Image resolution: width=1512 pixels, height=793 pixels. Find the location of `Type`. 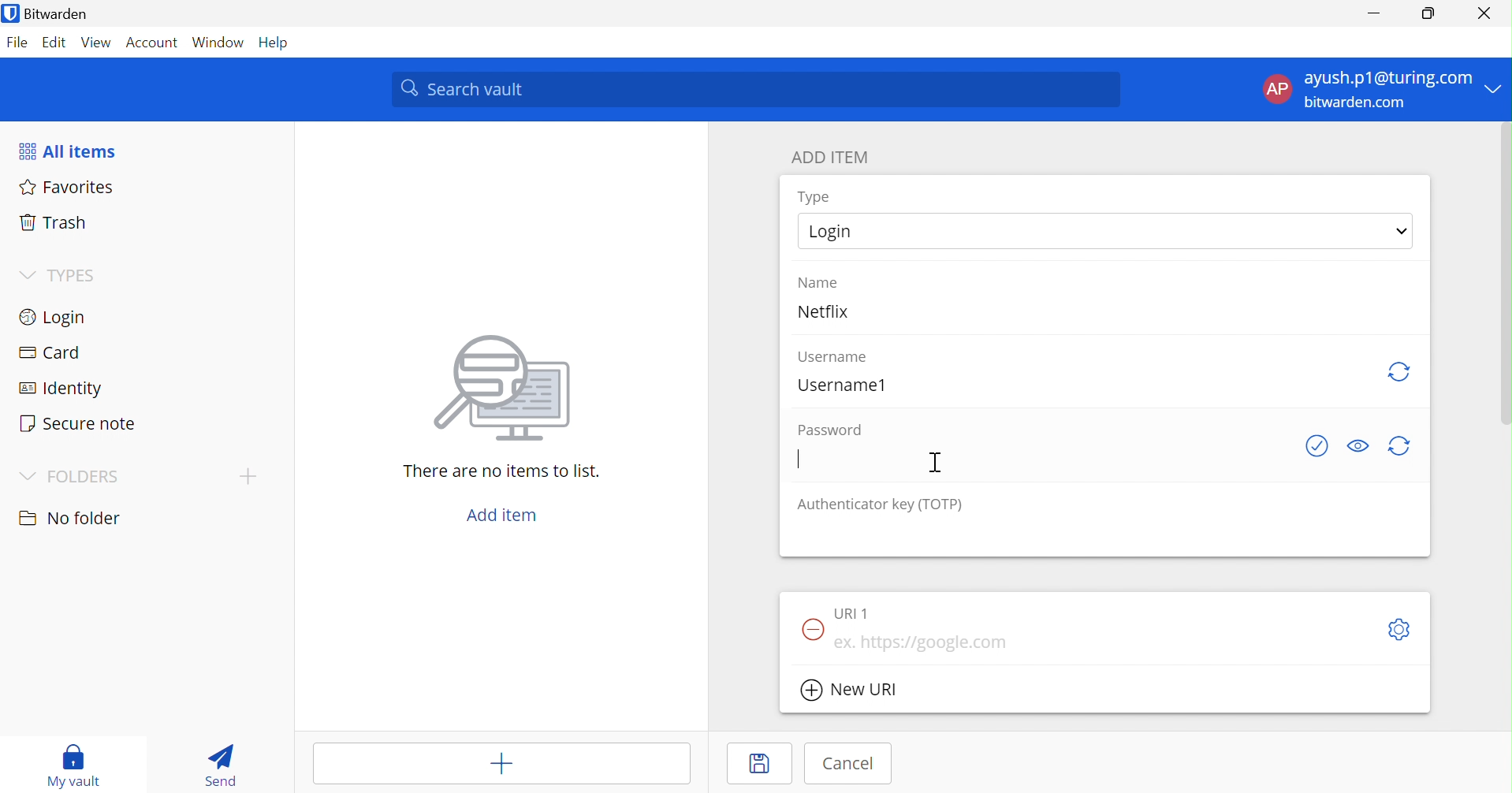

Type is located at coordinates (813, 196).